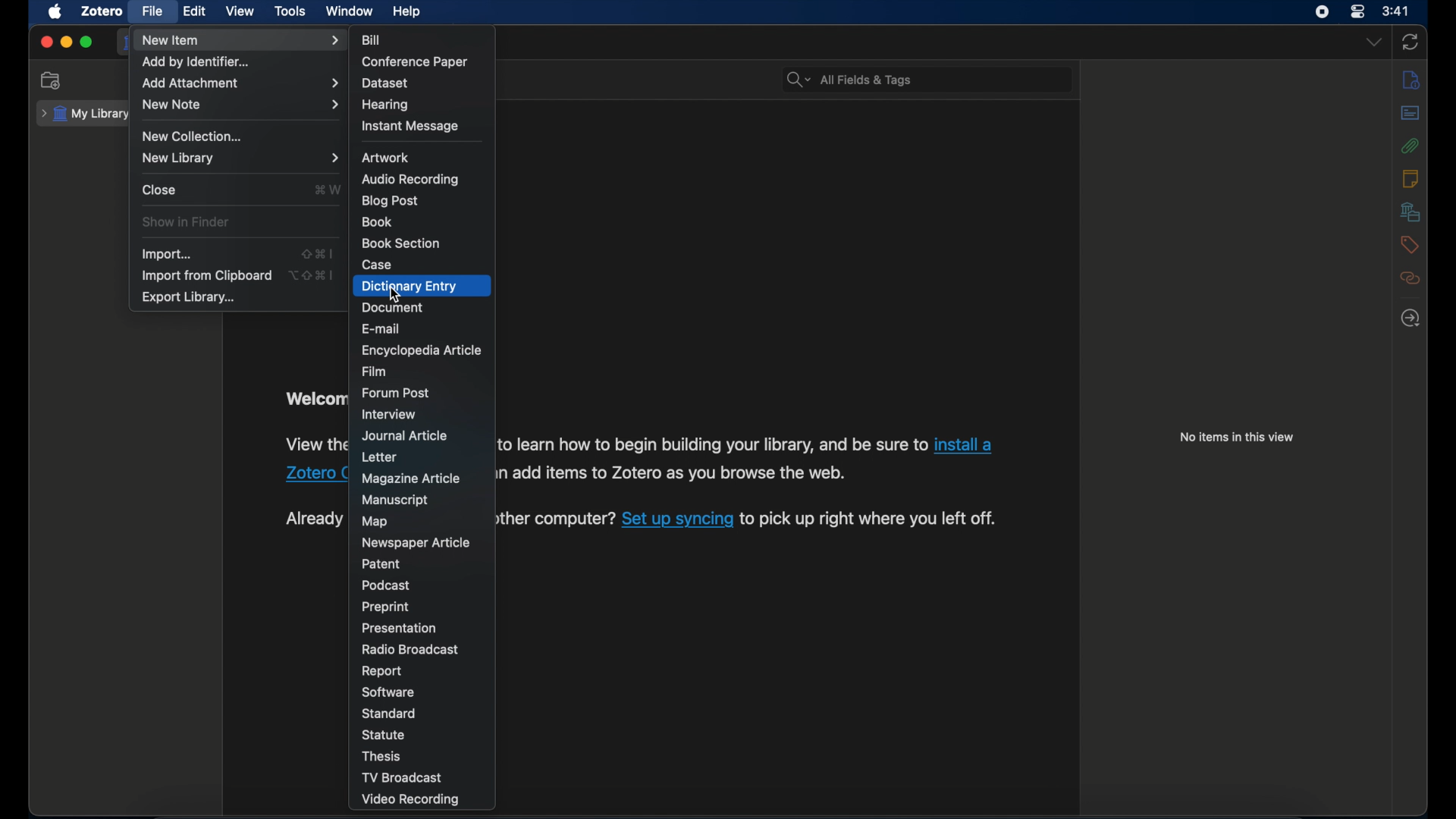 This screenshot has height=819, width=1456. Describe the element at coordinates (1323, 12) in the screenshot. I see `screen recorder` at that location.